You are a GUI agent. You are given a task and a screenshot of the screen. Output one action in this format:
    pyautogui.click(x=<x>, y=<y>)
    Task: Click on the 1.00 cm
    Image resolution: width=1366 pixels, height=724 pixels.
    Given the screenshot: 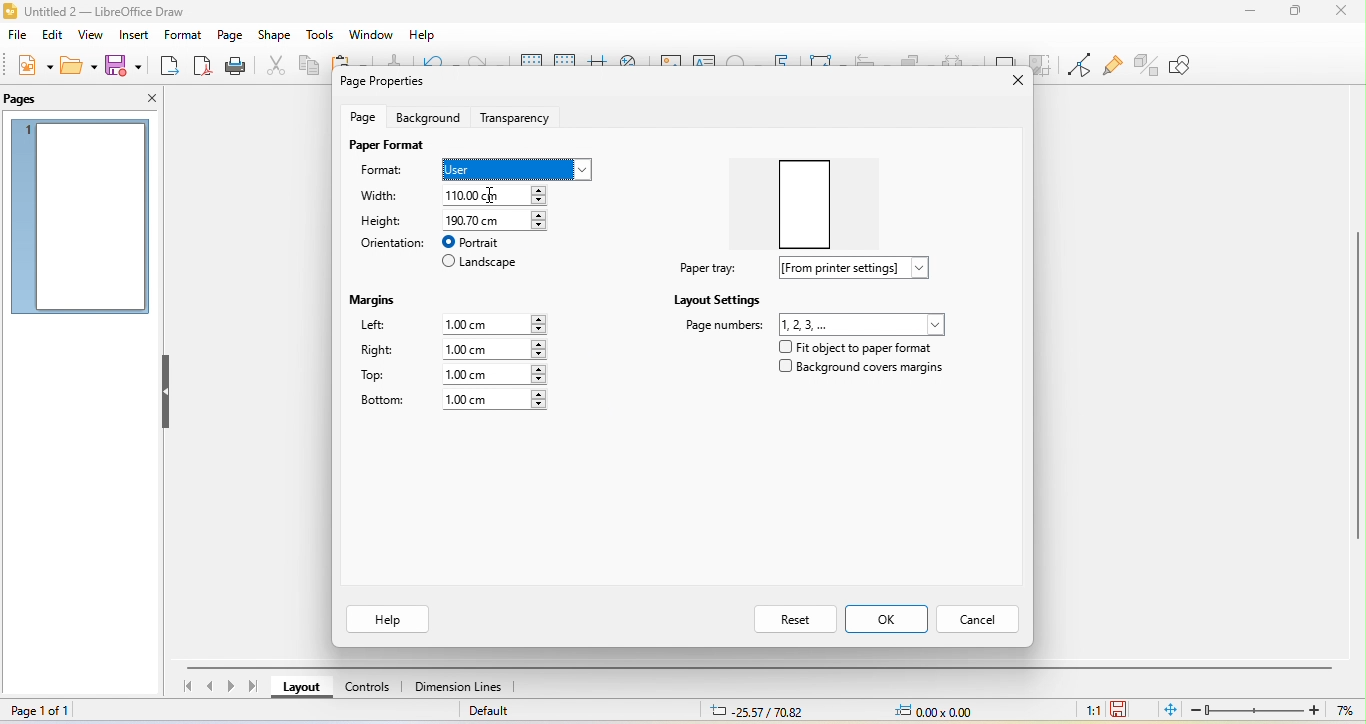 What is the action you would take?
    pyautogui.click(x=498, y=322)
    